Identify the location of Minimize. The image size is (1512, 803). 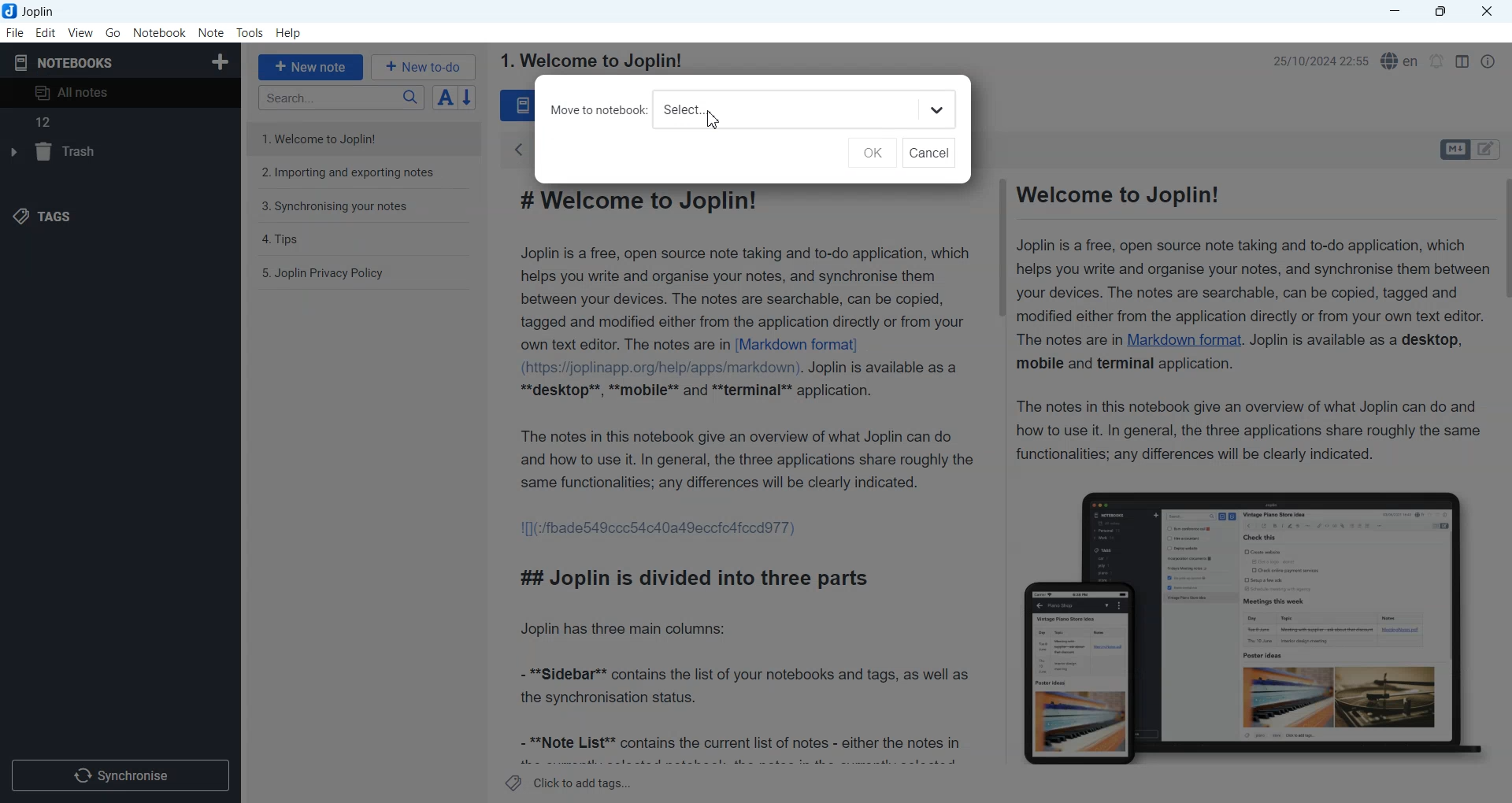
(1395, 12).